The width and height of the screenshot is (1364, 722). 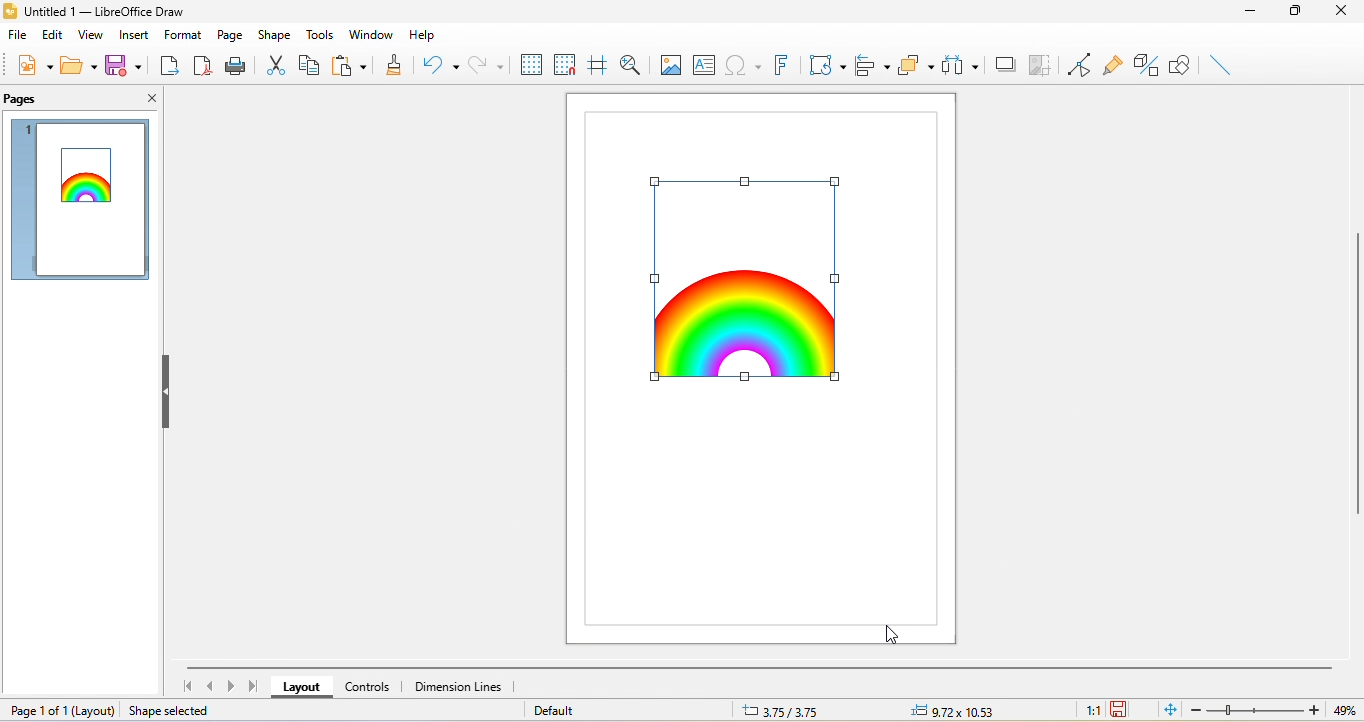 What do you see at coordinates (1342, 16) in the screenshot?
I see `close` at bounding box center [1342, 16].